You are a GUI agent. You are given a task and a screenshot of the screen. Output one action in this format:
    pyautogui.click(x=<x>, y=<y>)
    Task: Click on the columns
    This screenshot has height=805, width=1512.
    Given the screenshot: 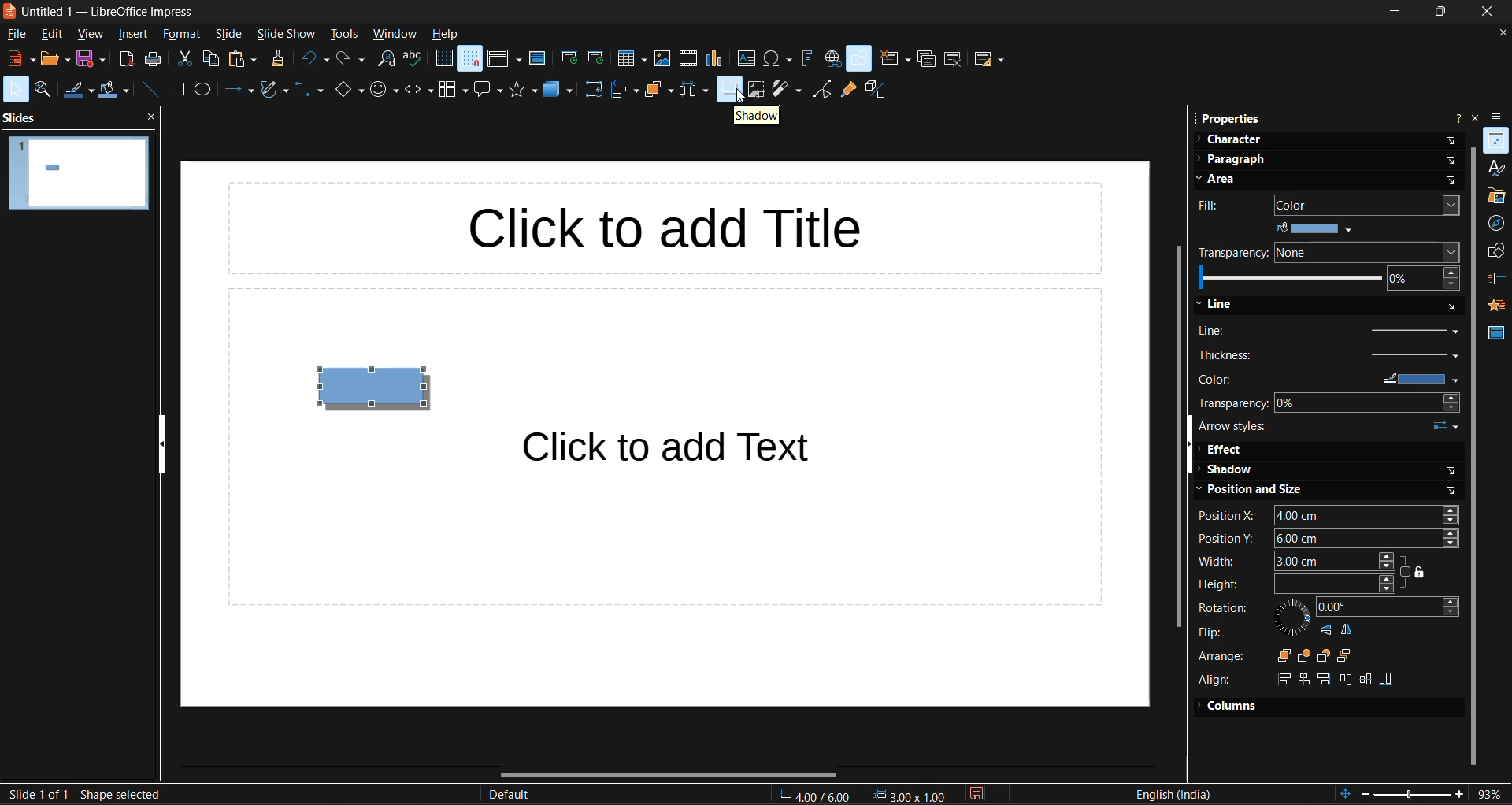 What is the action you would take?
    pyautogui.click(x=1228, y=704)
    